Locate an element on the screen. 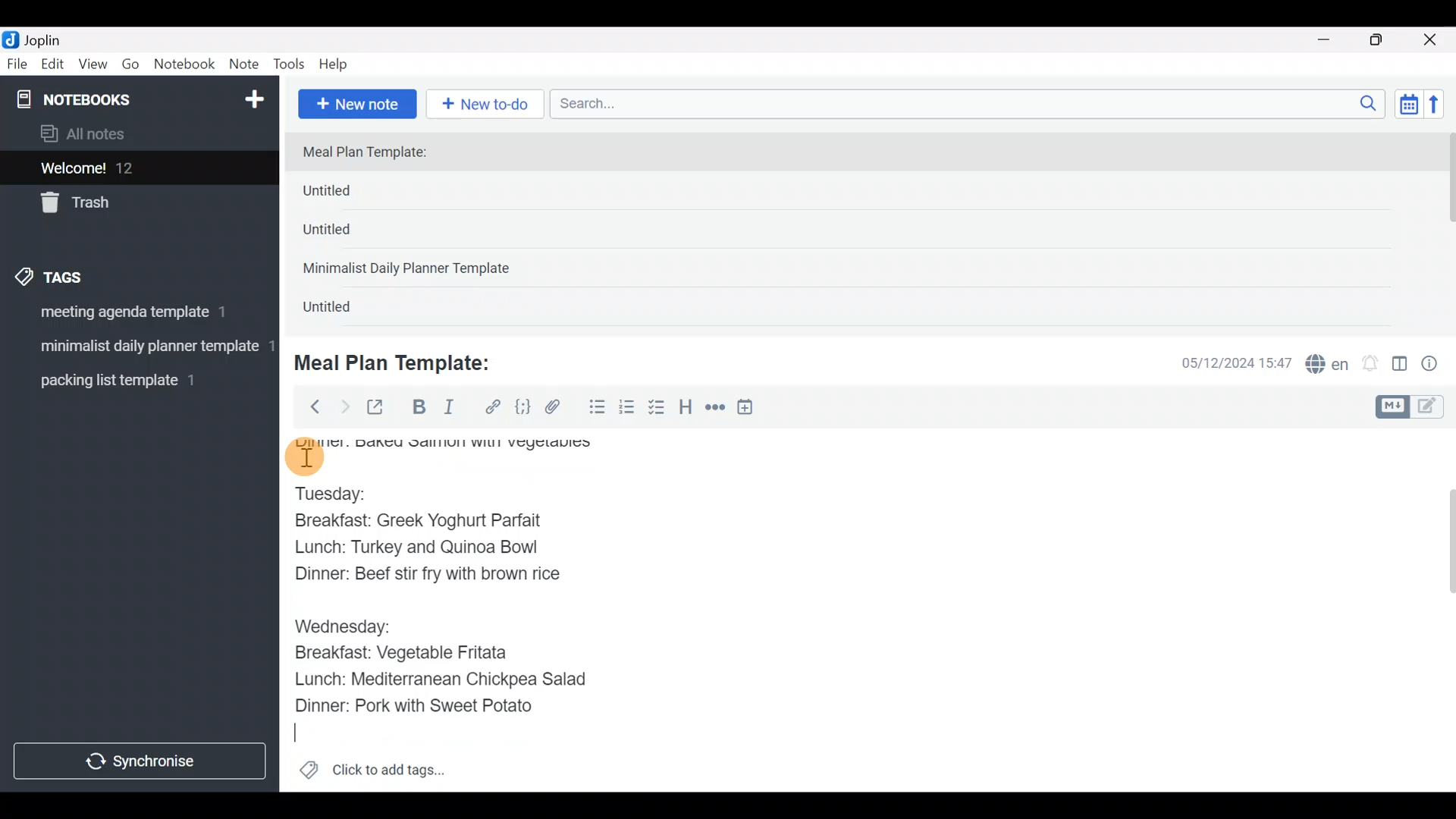 The height and width of the screenshot is (819, 1456). Close is located at coordinates (1432, 41).